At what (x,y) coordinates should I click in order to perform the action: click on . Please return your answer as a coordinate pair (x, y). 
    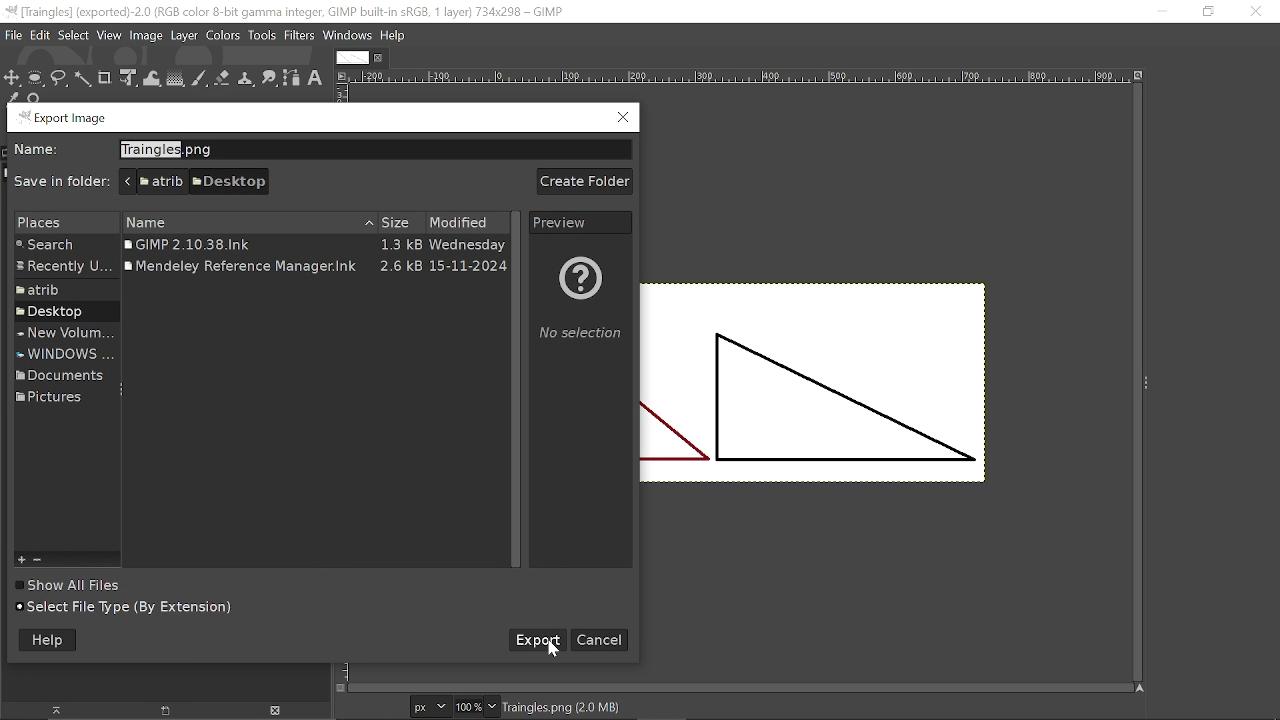
    Looking at the image, I should click on (315, 265).